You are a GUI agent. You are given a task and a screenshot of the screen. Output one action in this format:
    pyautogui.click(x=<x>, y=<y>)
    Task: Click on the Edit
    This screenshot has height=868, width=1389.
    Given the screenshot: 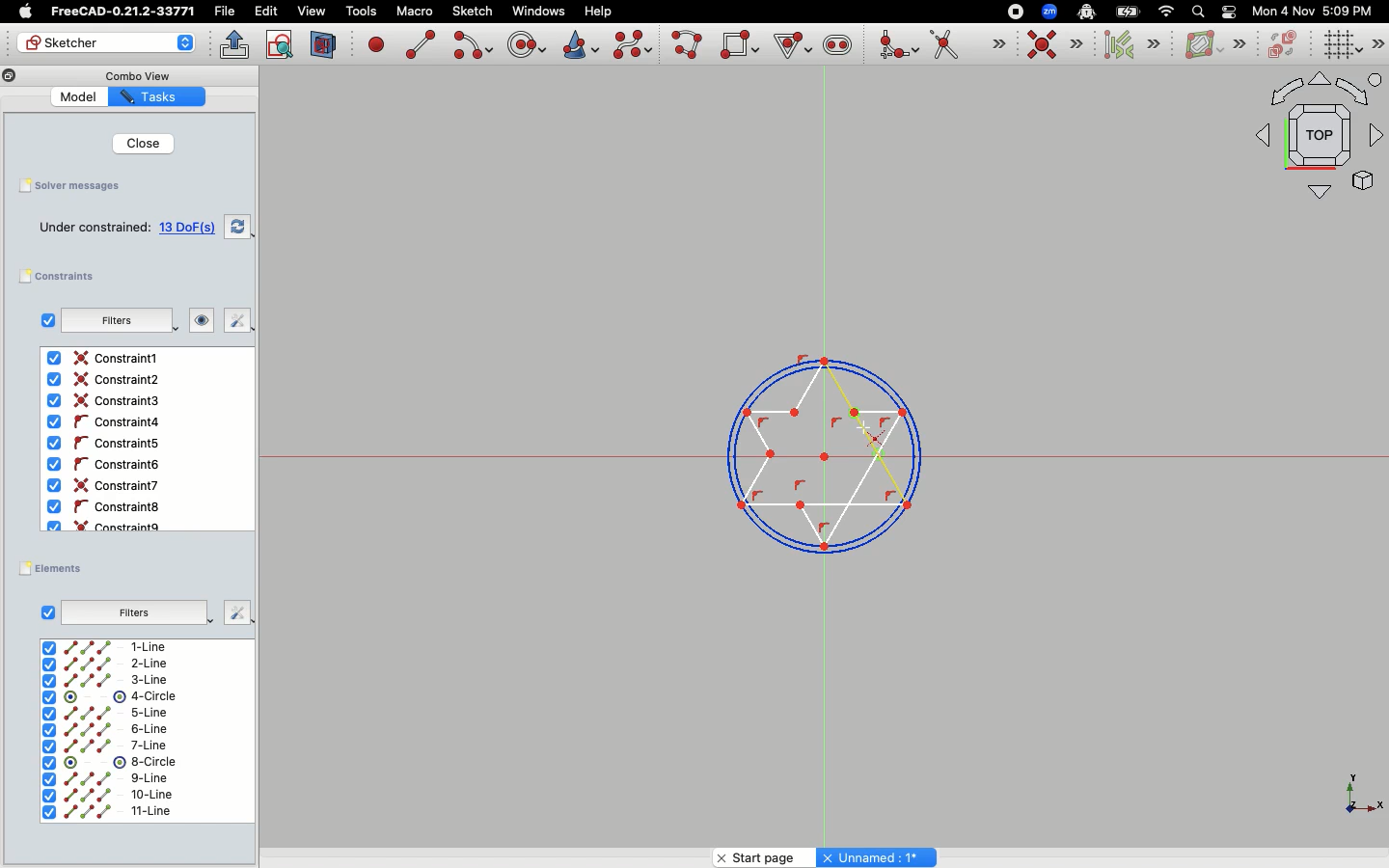 What is the action you would take?
    pyautogui.click(x=266, y=12)
    